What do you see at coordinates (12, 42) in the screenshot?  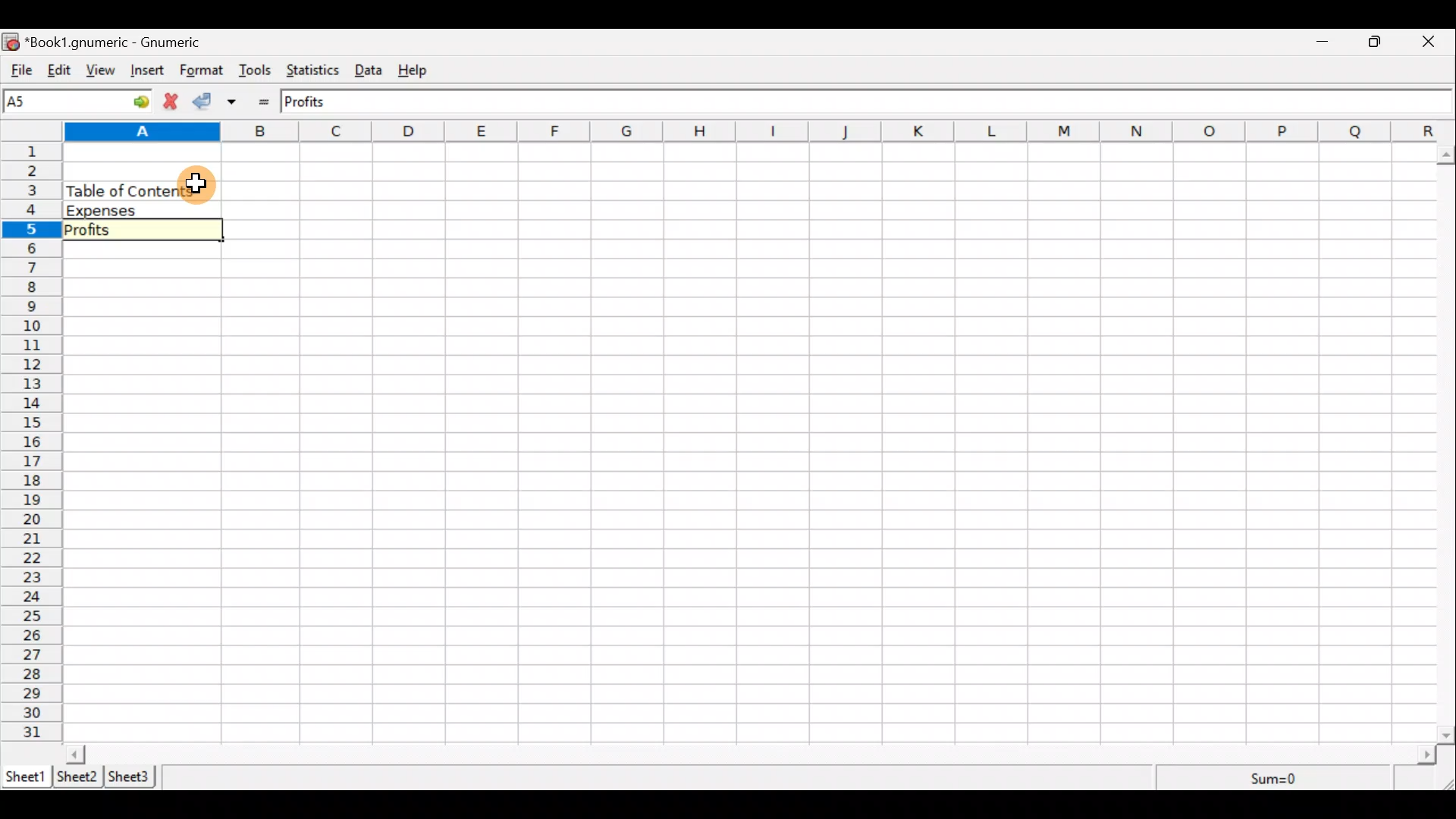 I see `icon` at bounding box center [12, 42].